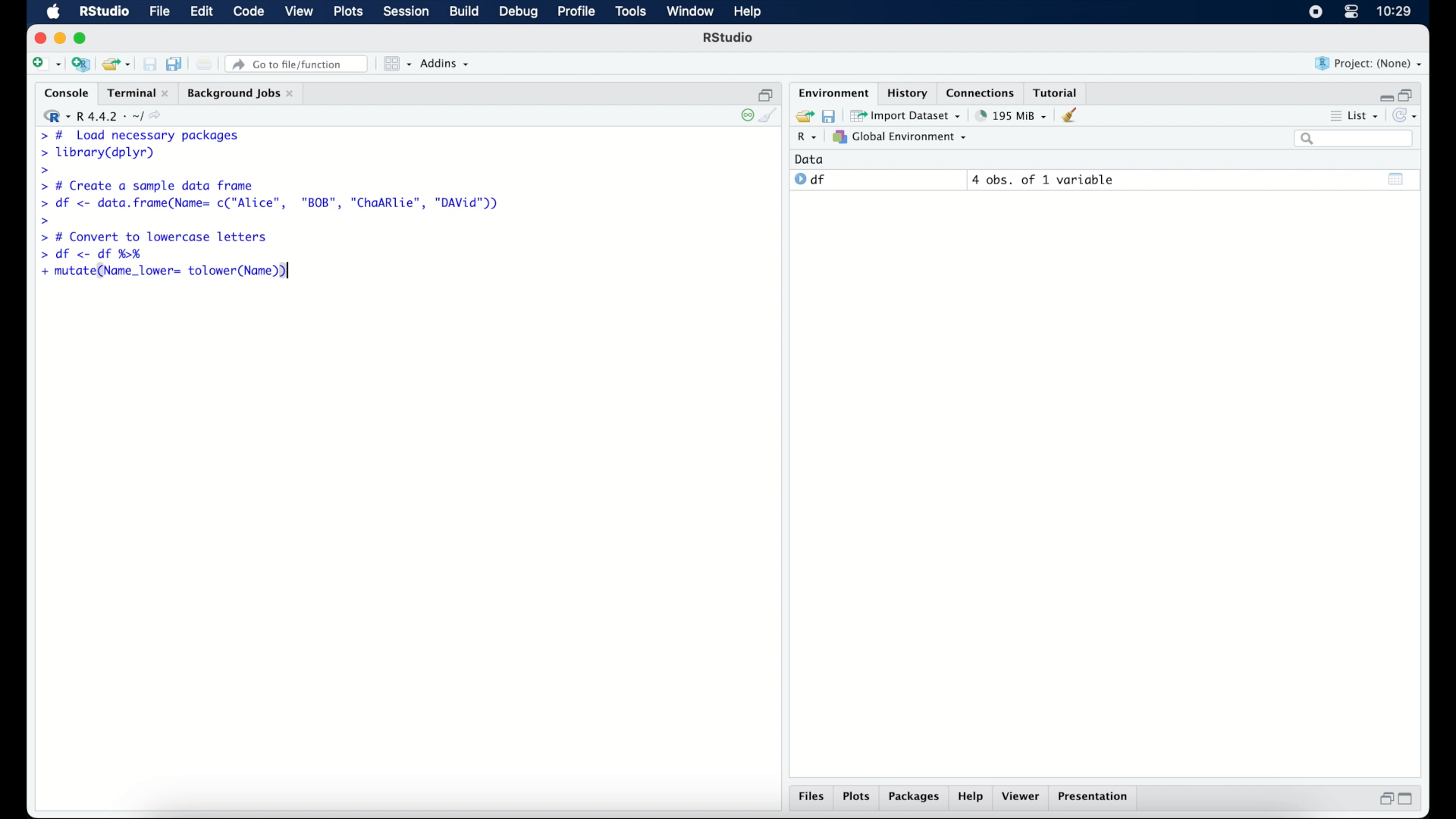 The width and height of the screenshot is (1456, 819). What do you see at coordinates (200, 12) in the screenshot?
I see `edit` at bounding box center [200, 12].